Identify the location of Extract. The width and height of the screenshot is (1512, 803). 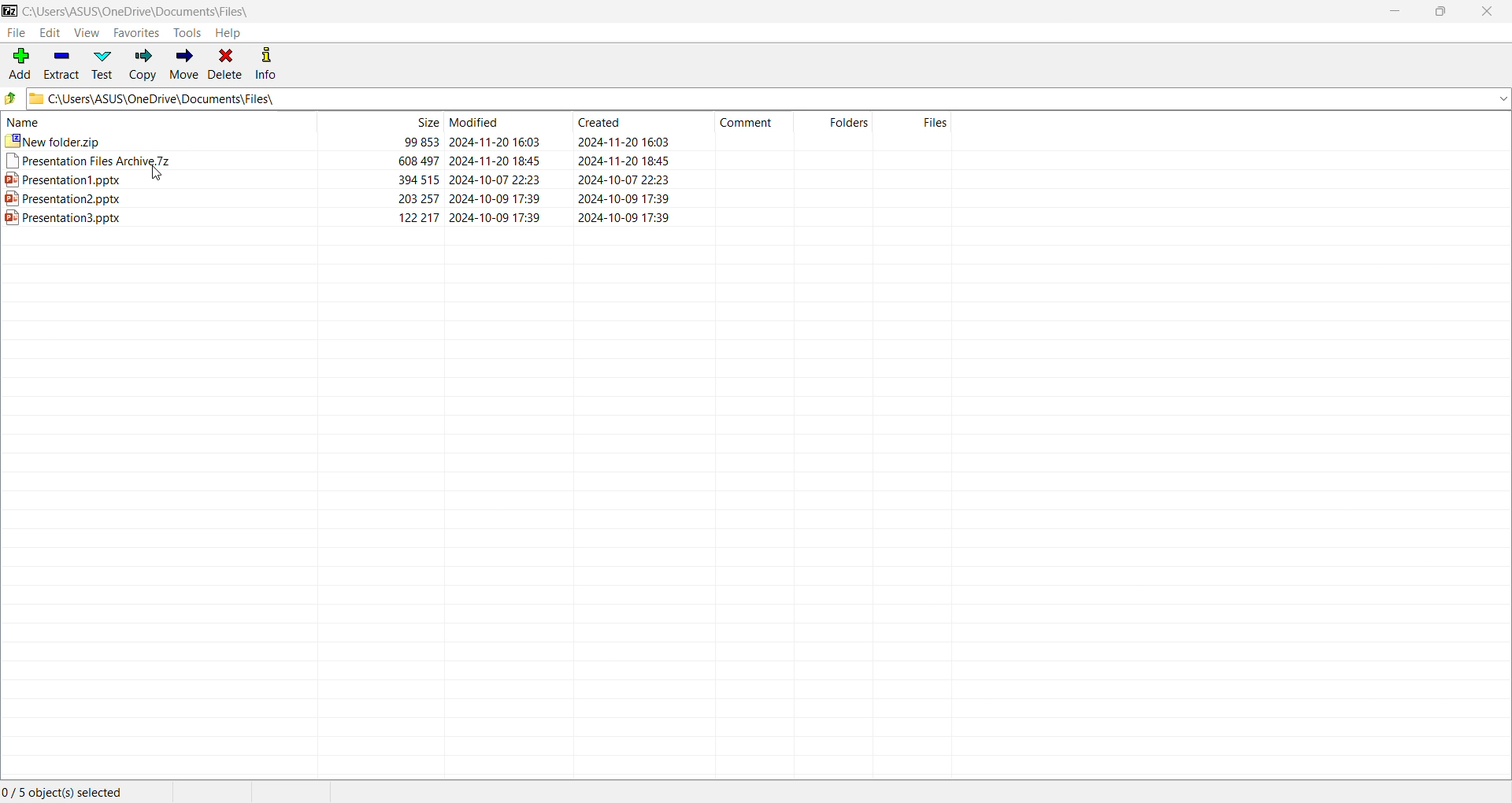
(61, 64).